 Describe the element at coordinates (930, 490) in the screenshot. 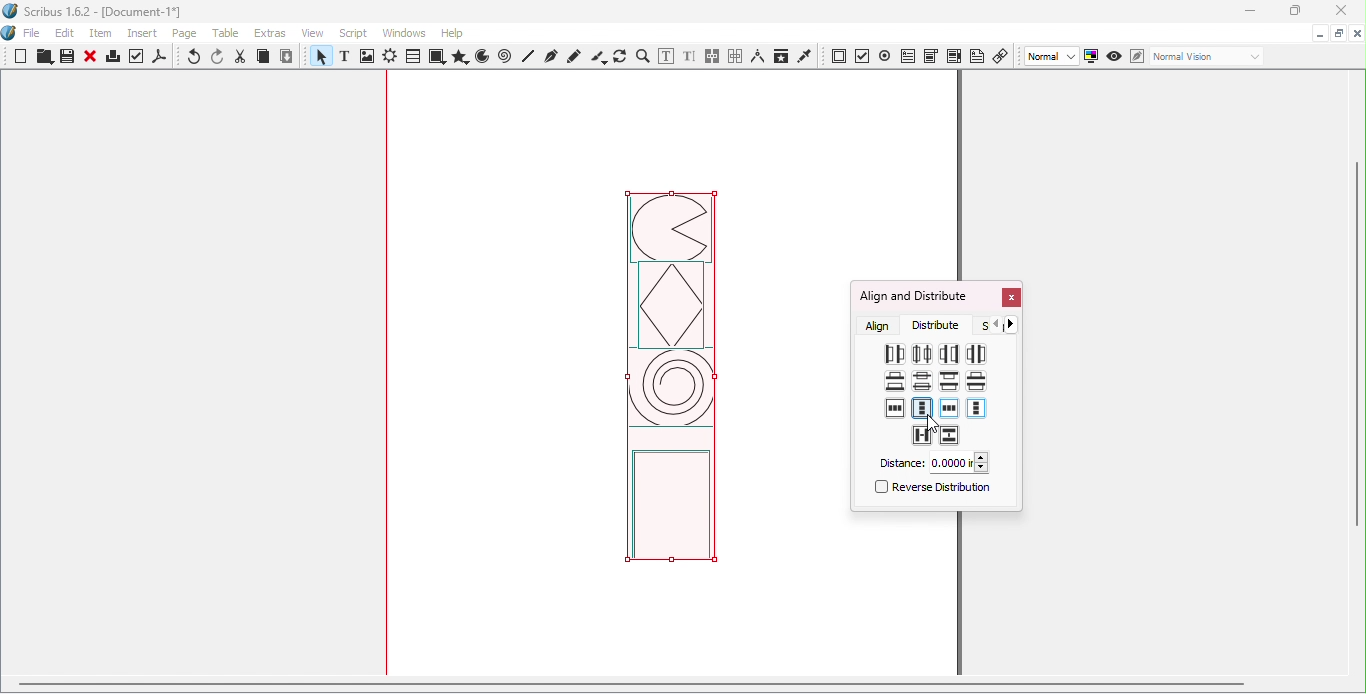

I see `Reverse distribution` at that location.